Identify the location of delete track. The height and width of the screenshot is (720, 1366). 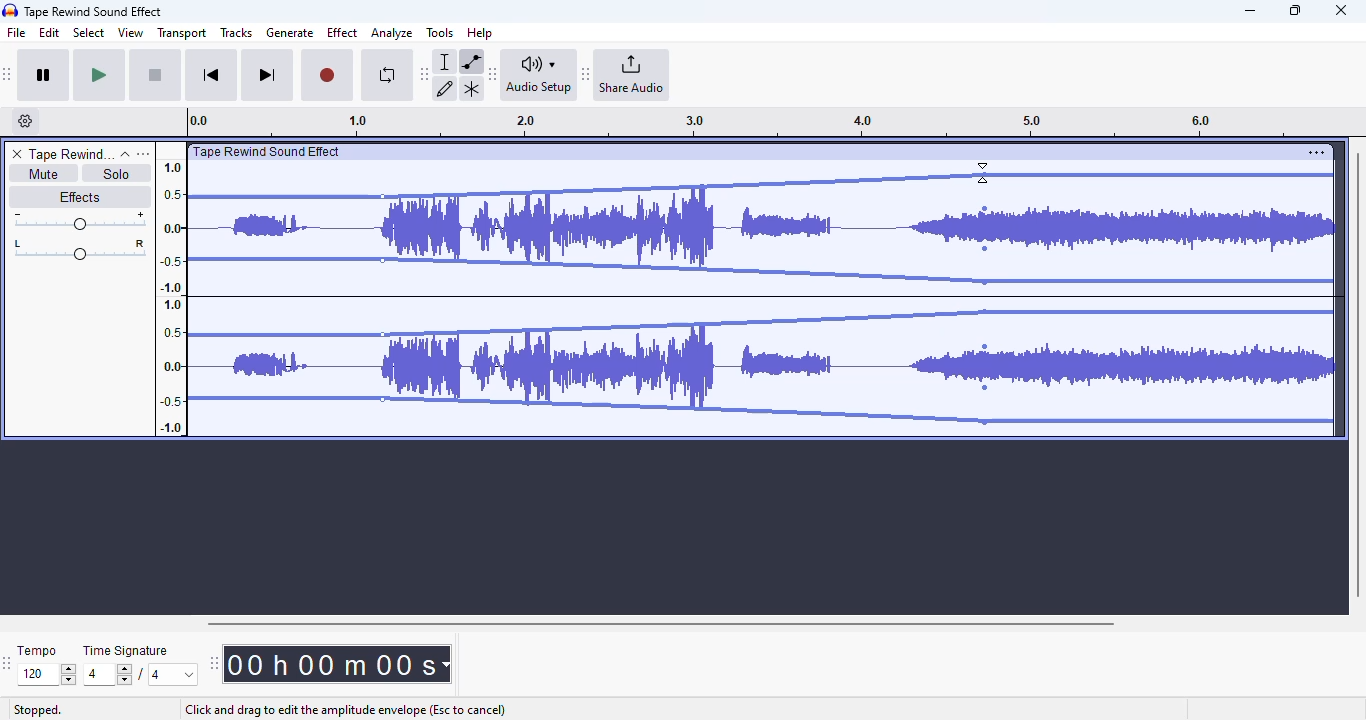
(17, 154).